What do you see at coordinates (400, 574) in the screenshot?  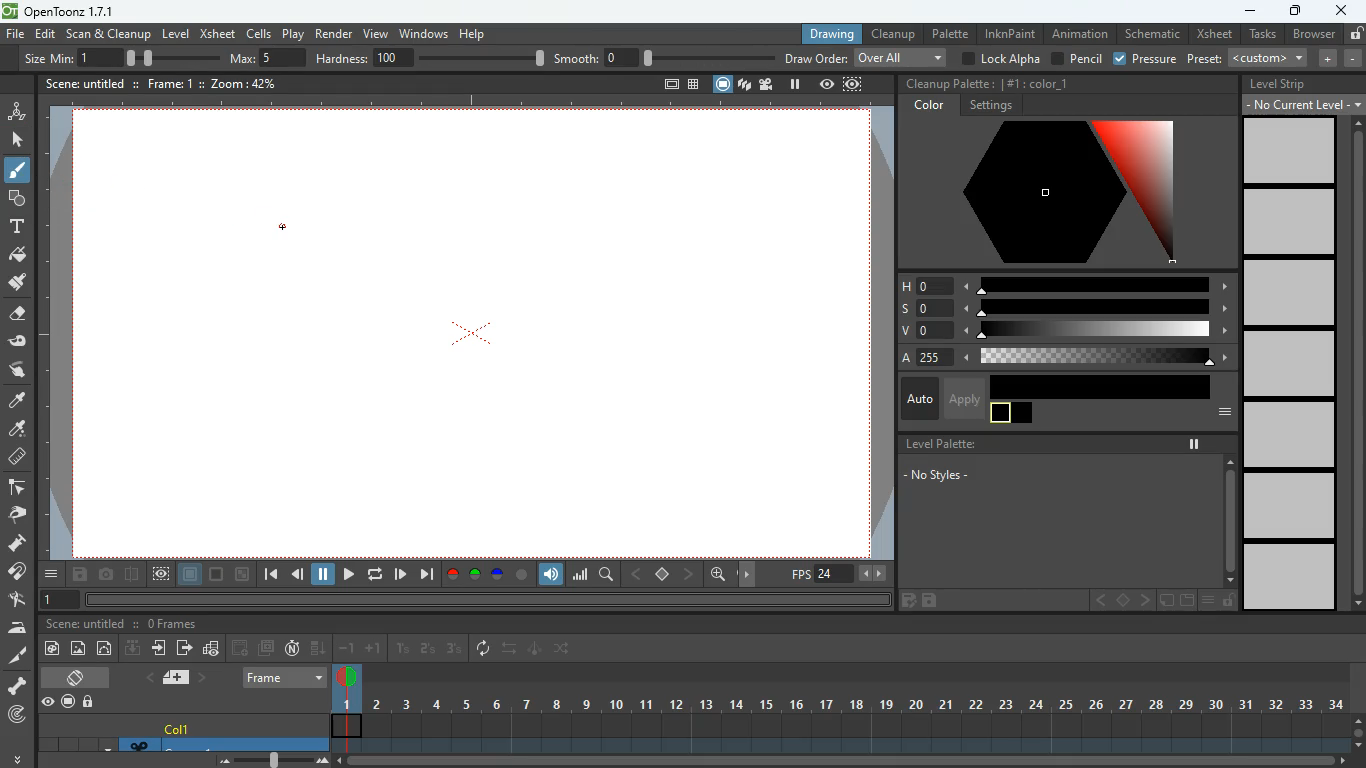 I see `forward` at bounding box center [400, 574].